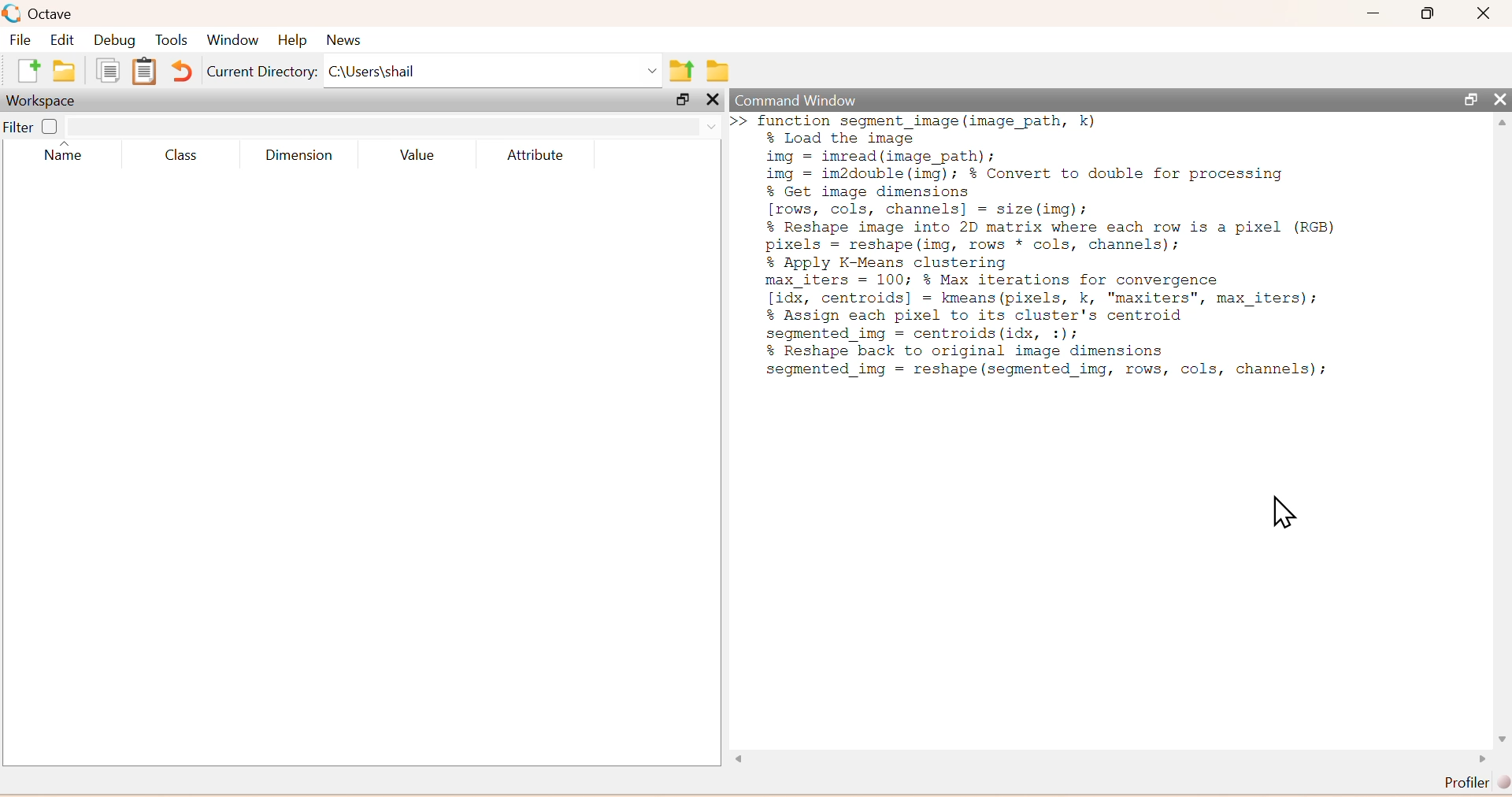 Image resolution: width=1512 pixels, height=797 pixels. Describe the element at coordinates (23, 40) in the screenshot. I see `File` at that location.